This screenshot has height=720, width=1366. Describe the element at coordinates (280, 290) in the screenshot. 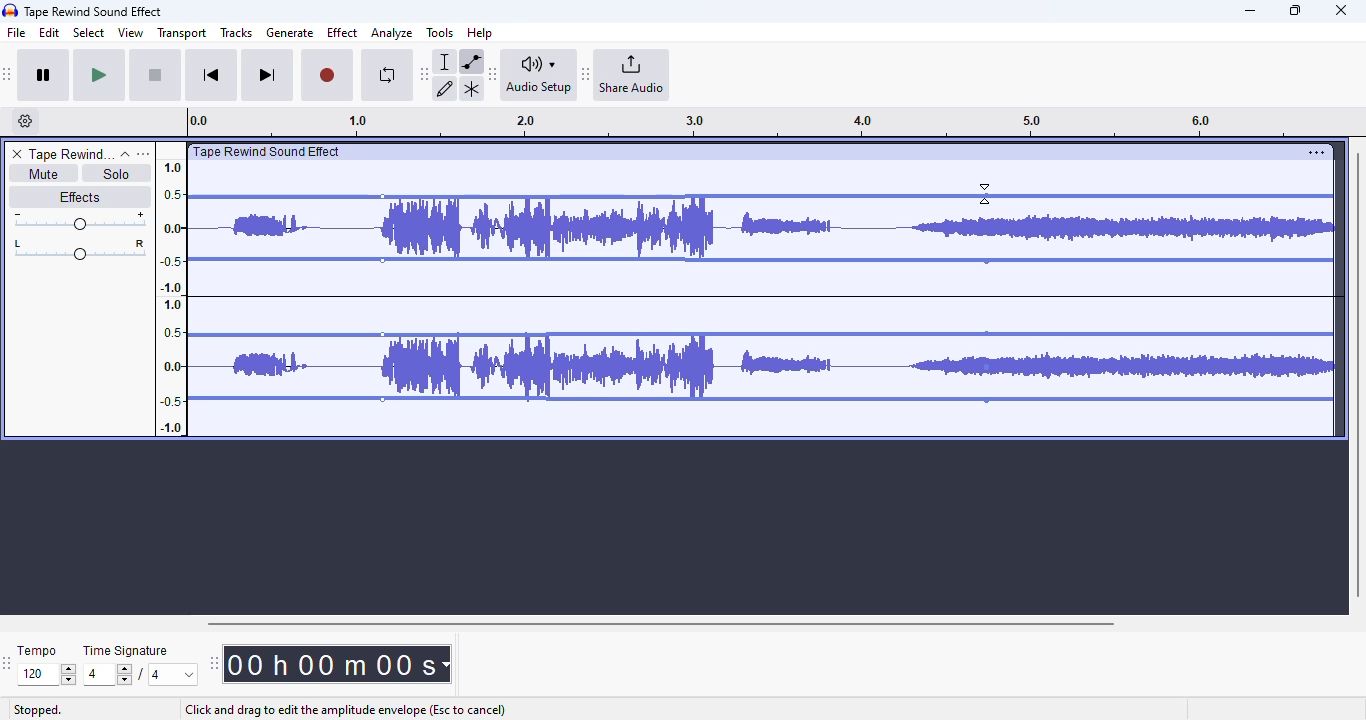

I see `Volume of the track reduced` at that location.